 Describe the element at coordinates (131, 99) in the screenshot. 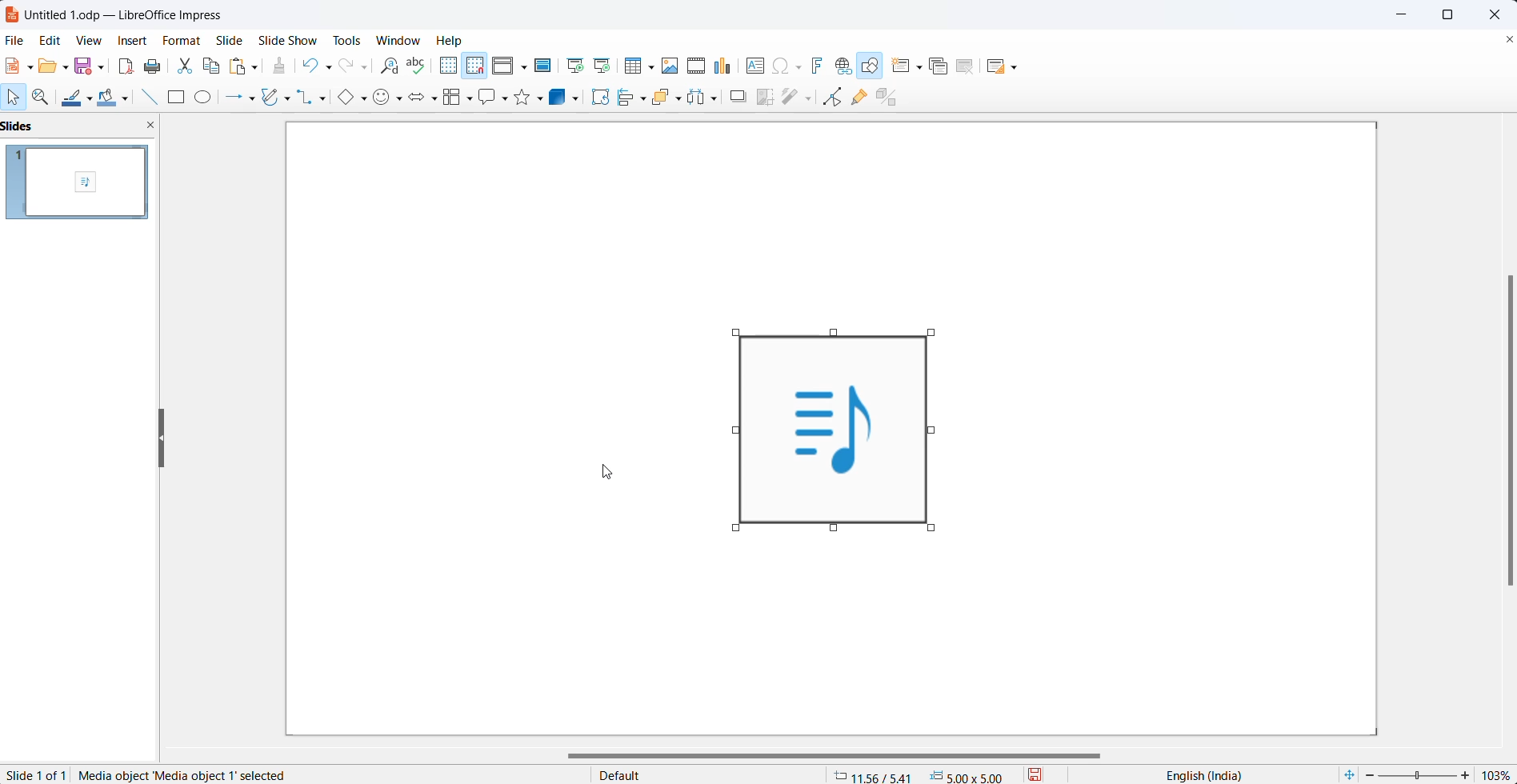

I see `fill color options dropdown button` at that location.